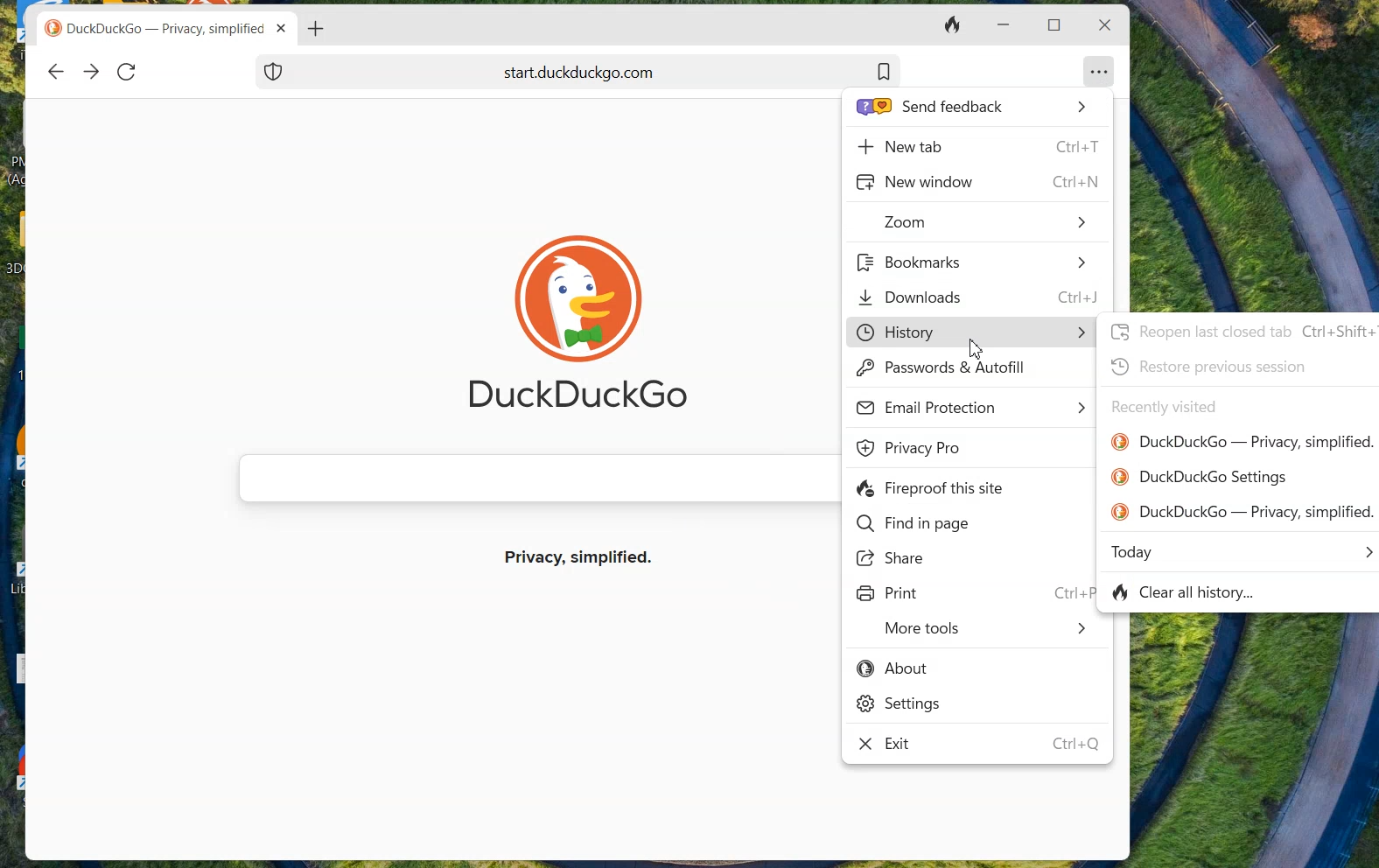  Describe the element at coordinates (913, 525) in the screenshot. I see `Find in page` at that location.